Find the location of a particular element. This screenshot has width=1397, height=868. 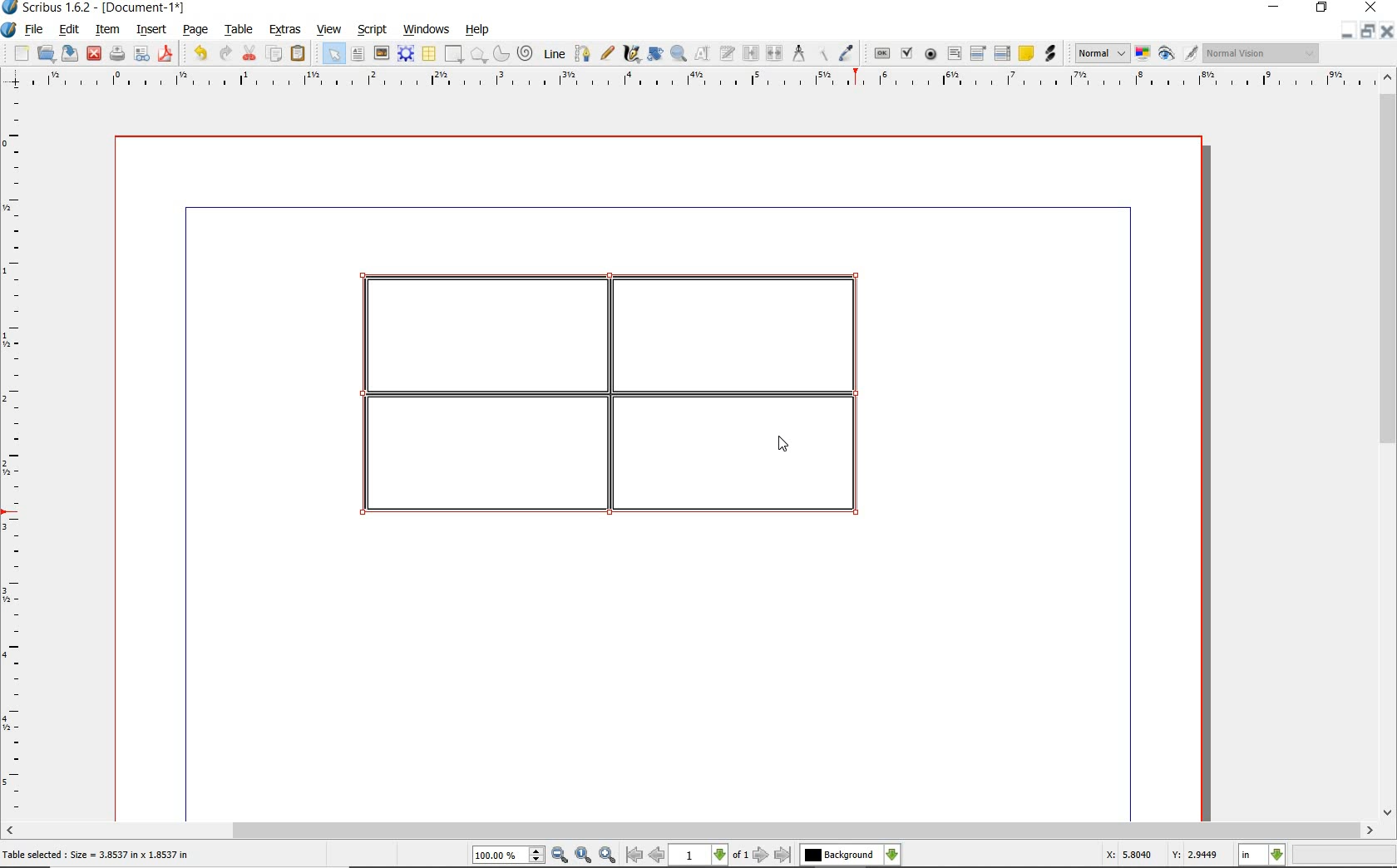

insert is located at coordinates (150, 31).